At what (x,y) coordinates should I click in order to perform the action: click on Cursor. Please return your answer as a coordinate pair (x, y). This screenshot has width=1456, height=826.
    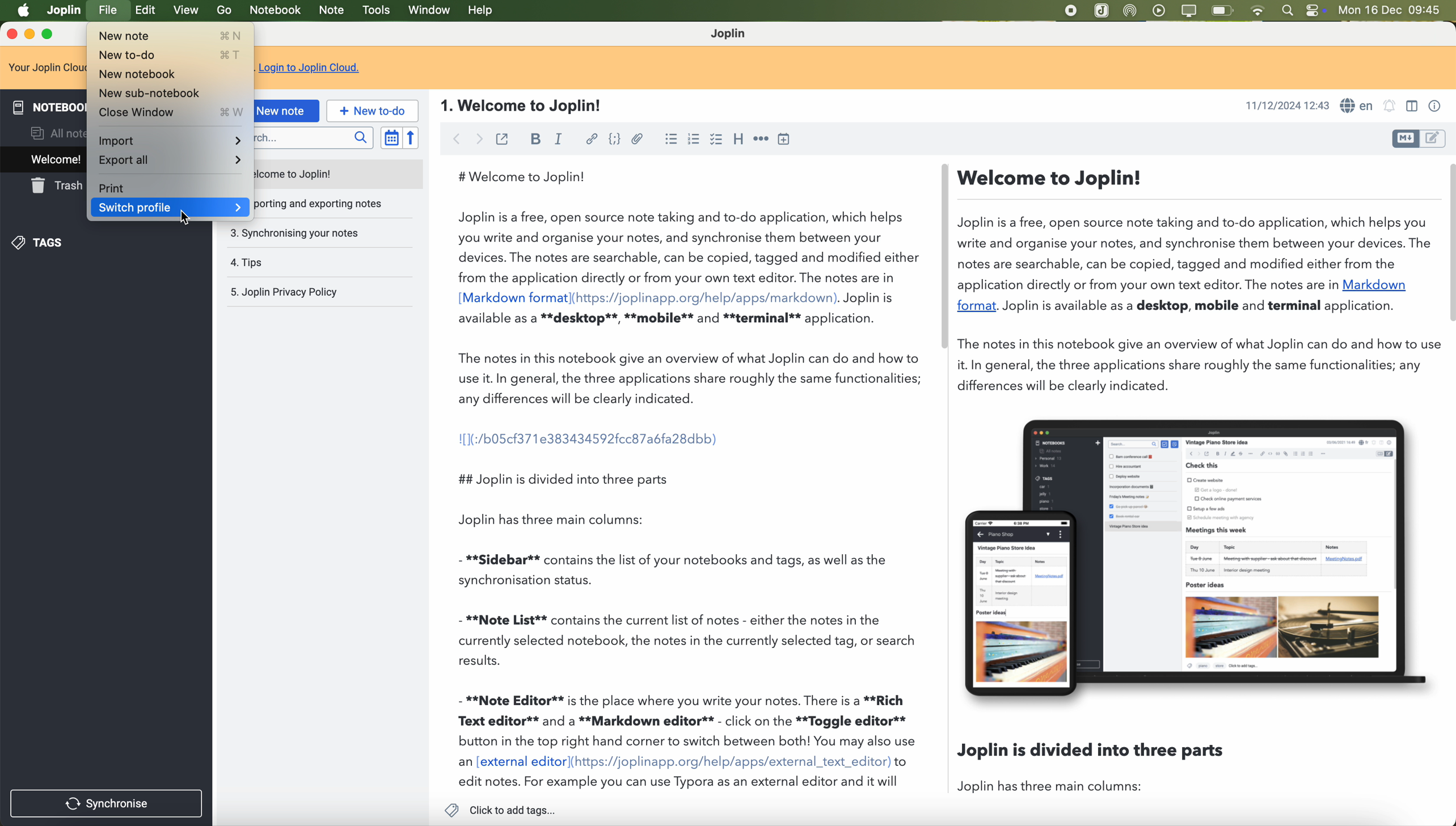
    Looking at the image, I should click on (185, 218).